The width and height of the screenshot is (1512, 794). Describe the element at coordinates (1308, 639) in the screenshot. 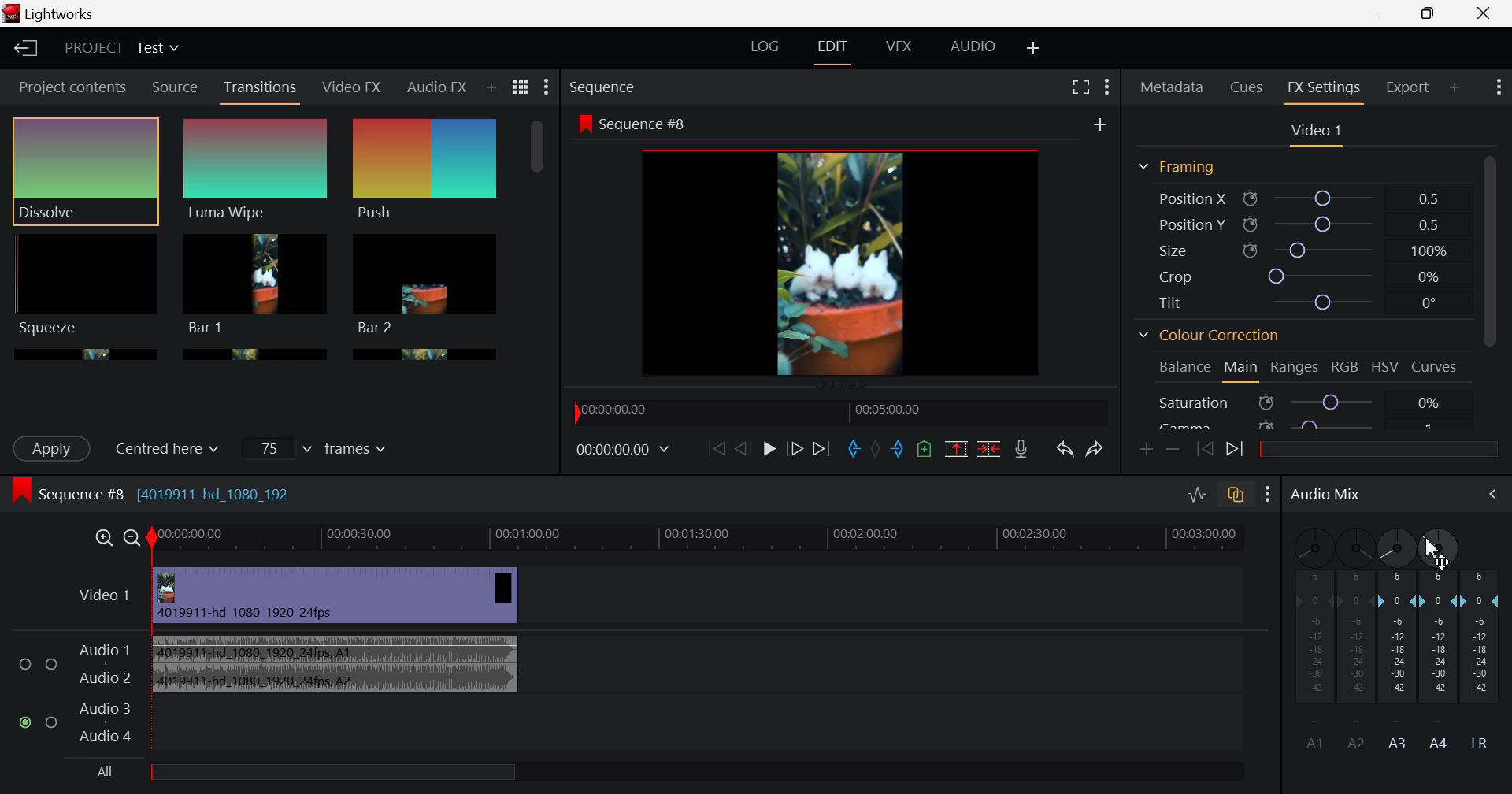

I see `A1 Channel disabled` at that location.